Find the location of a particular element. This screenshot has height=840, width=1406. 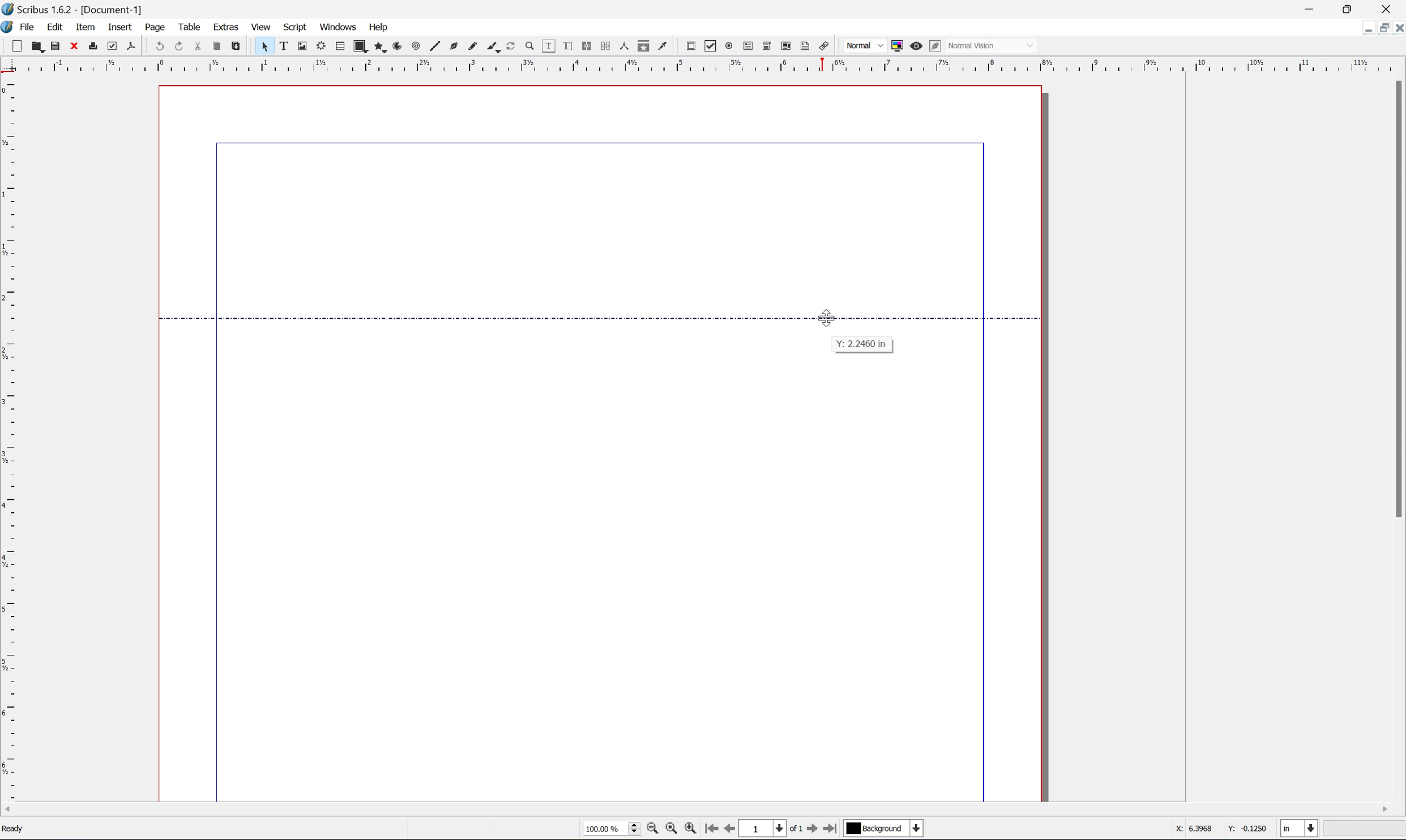

cursor is located at coordinates (831, 318).